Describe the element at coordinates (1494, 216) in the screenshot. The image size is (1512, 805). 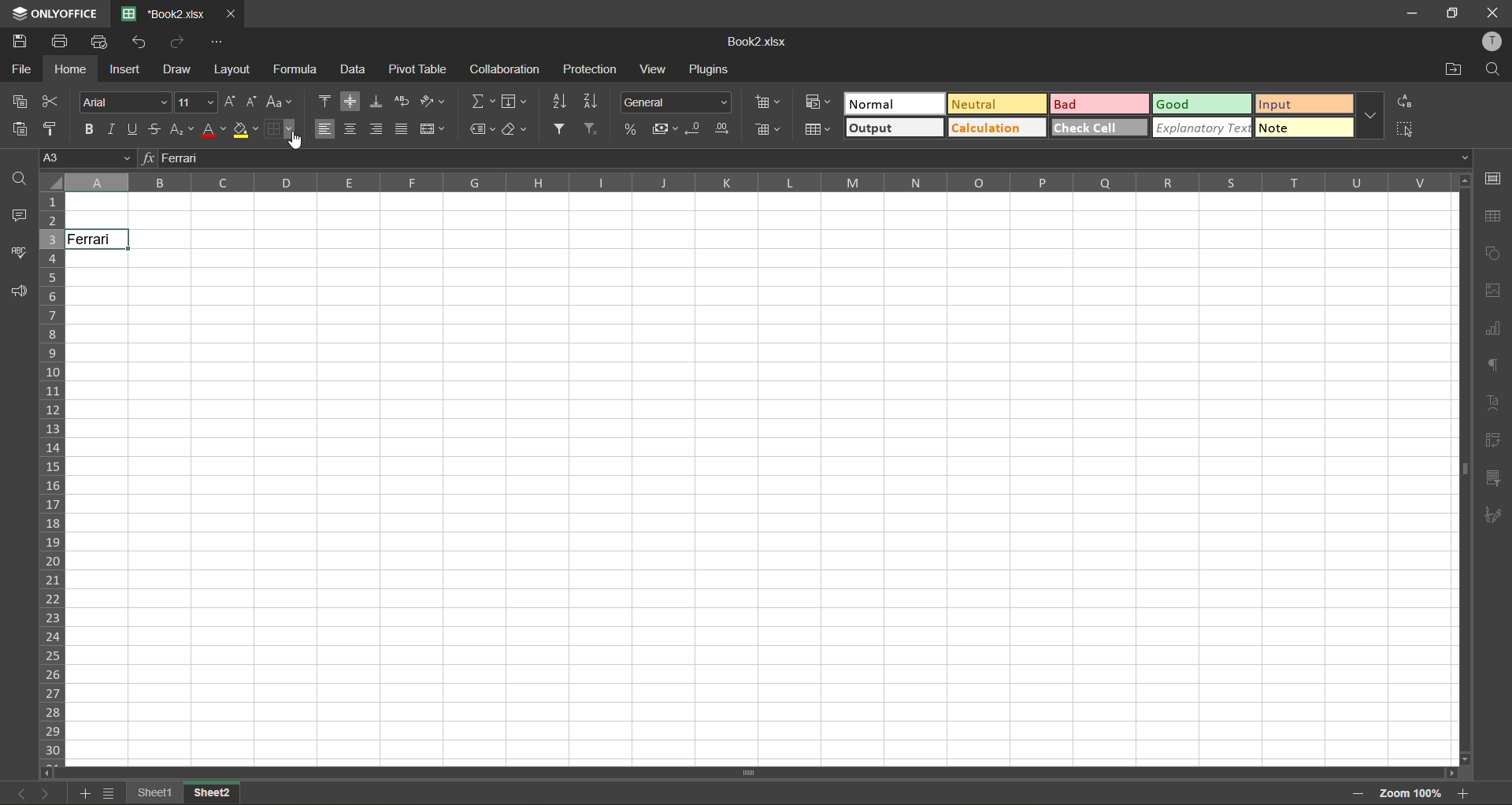
I see `table` at that location.